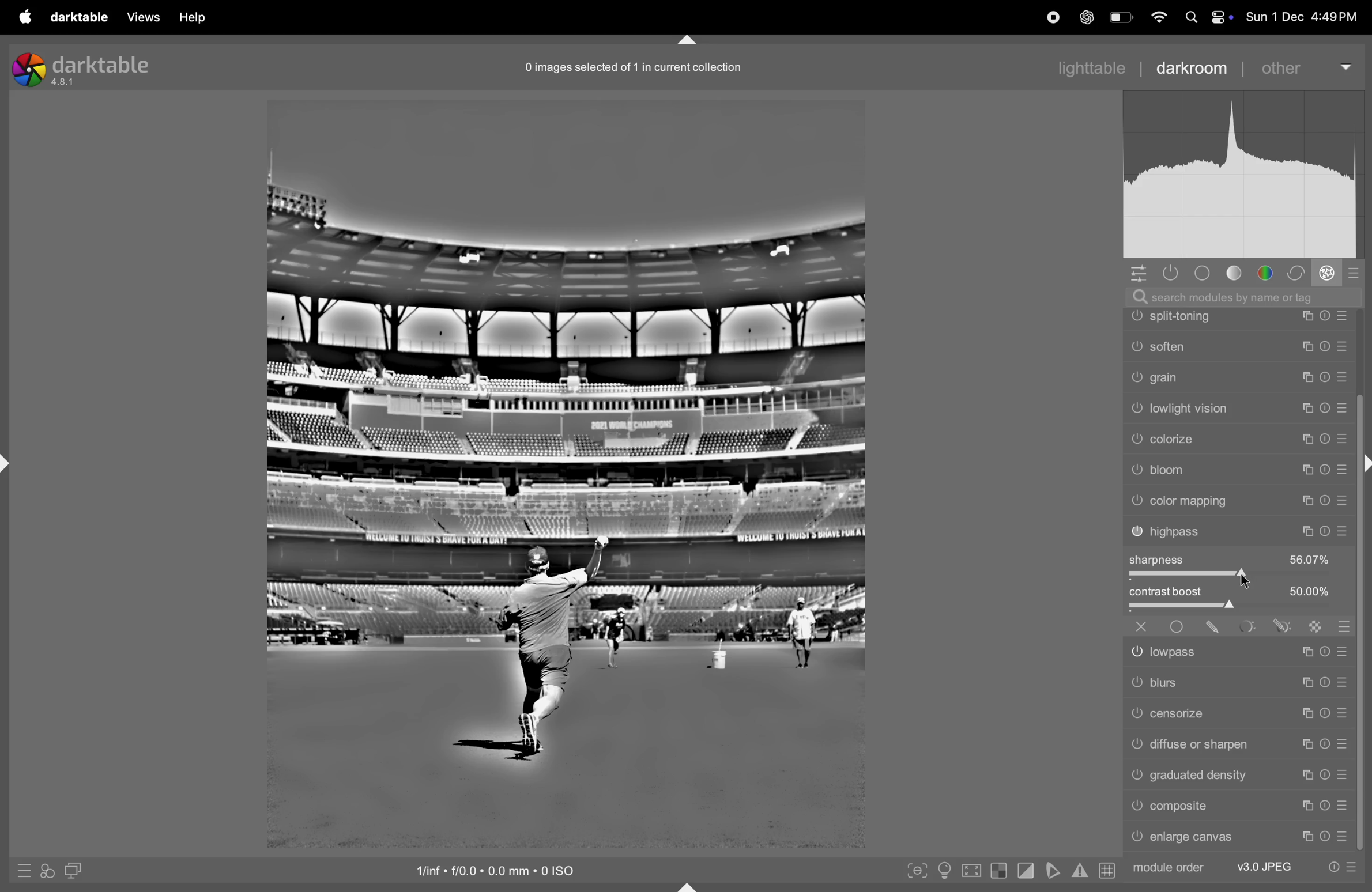  I want to click on battery, so click(1120, 17).